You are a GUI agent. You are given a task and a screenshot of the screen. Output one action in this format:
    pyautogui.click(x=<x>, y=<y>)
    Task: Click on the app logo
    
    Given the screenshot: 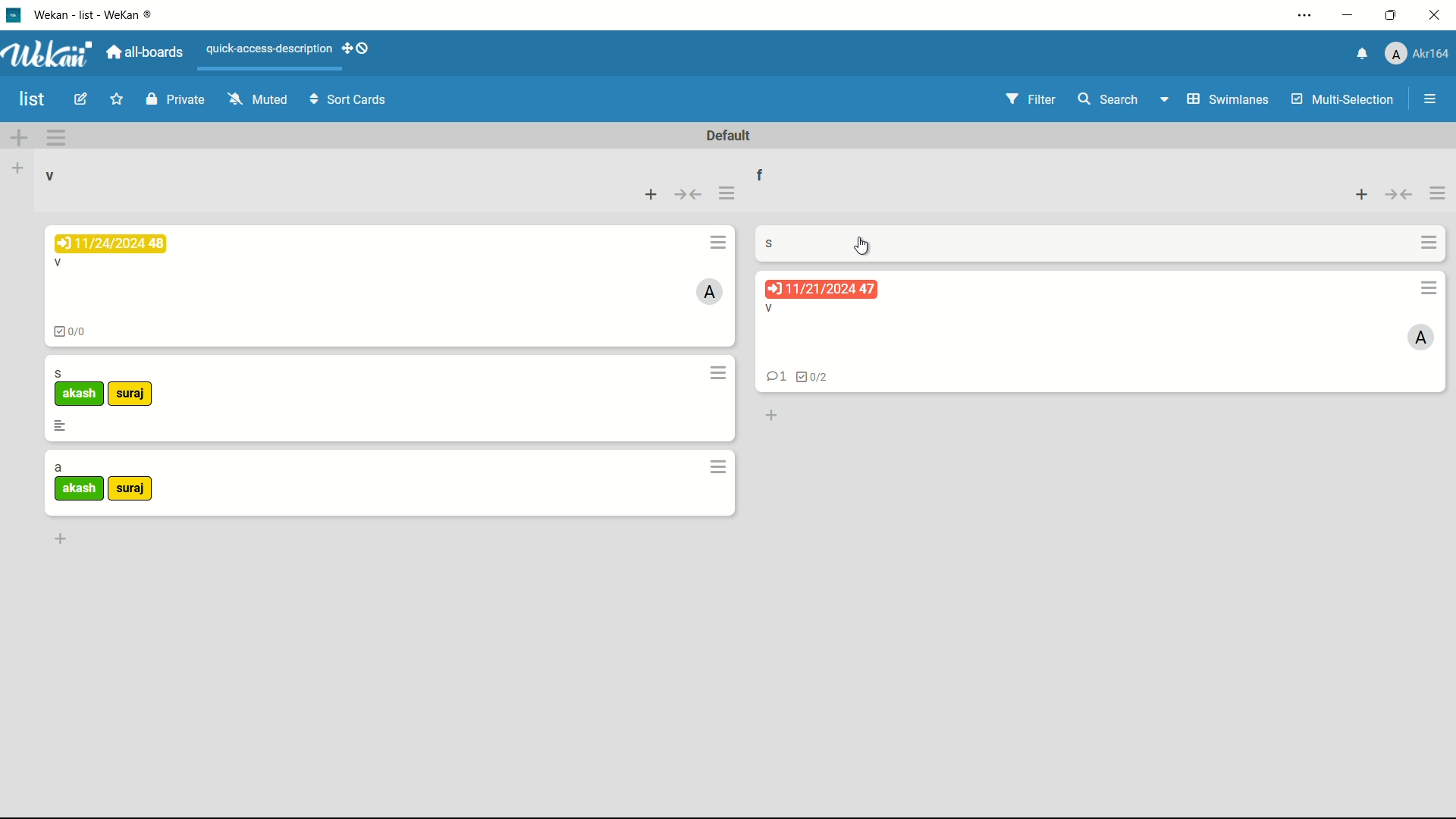 What is the action you would take?
    pyautogui.click(x=49, y=54)
    